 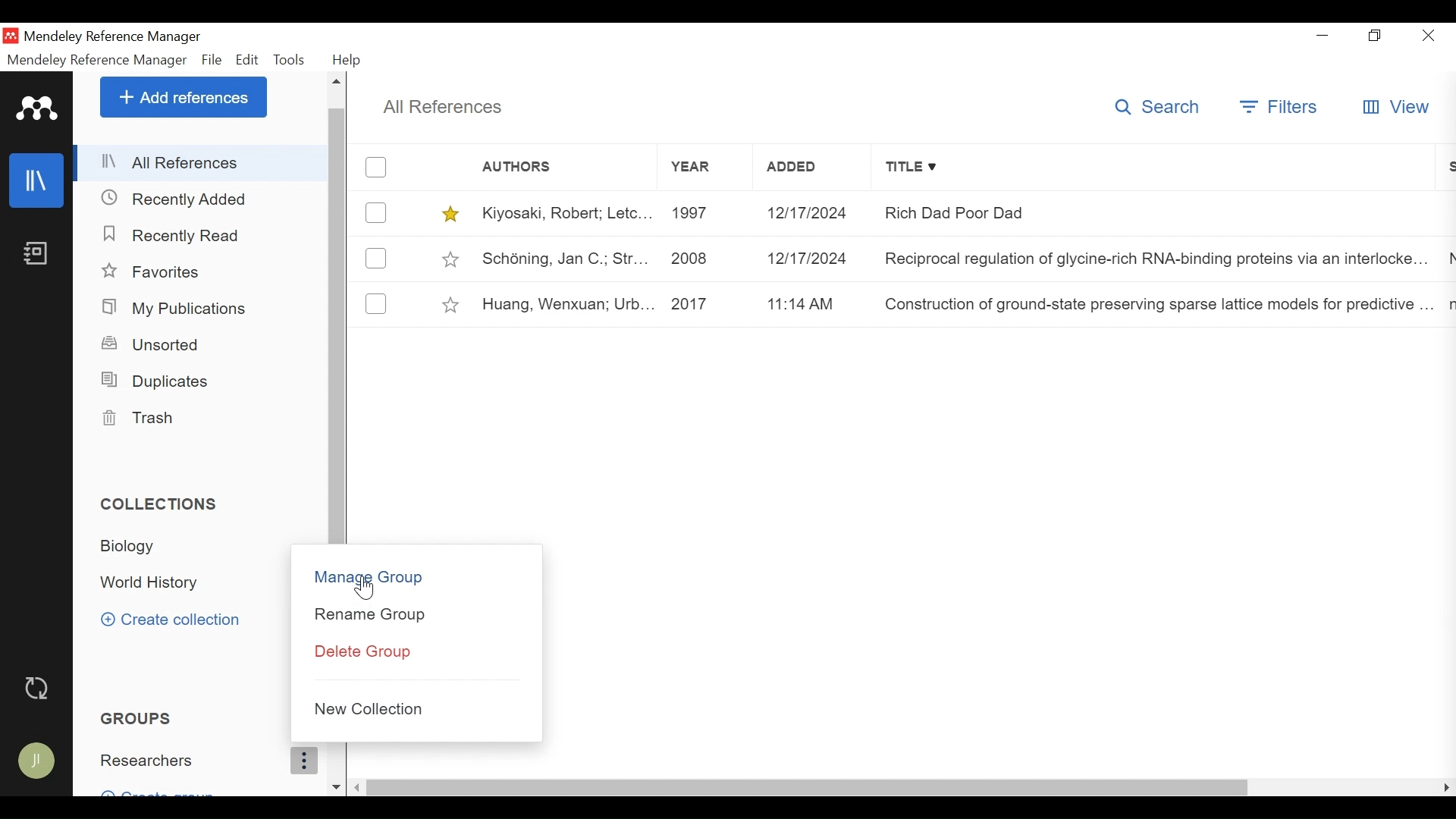 What do you see at coordinates (212, 60) in the screenshot?
I see `File` at bounding box center [212, 60].